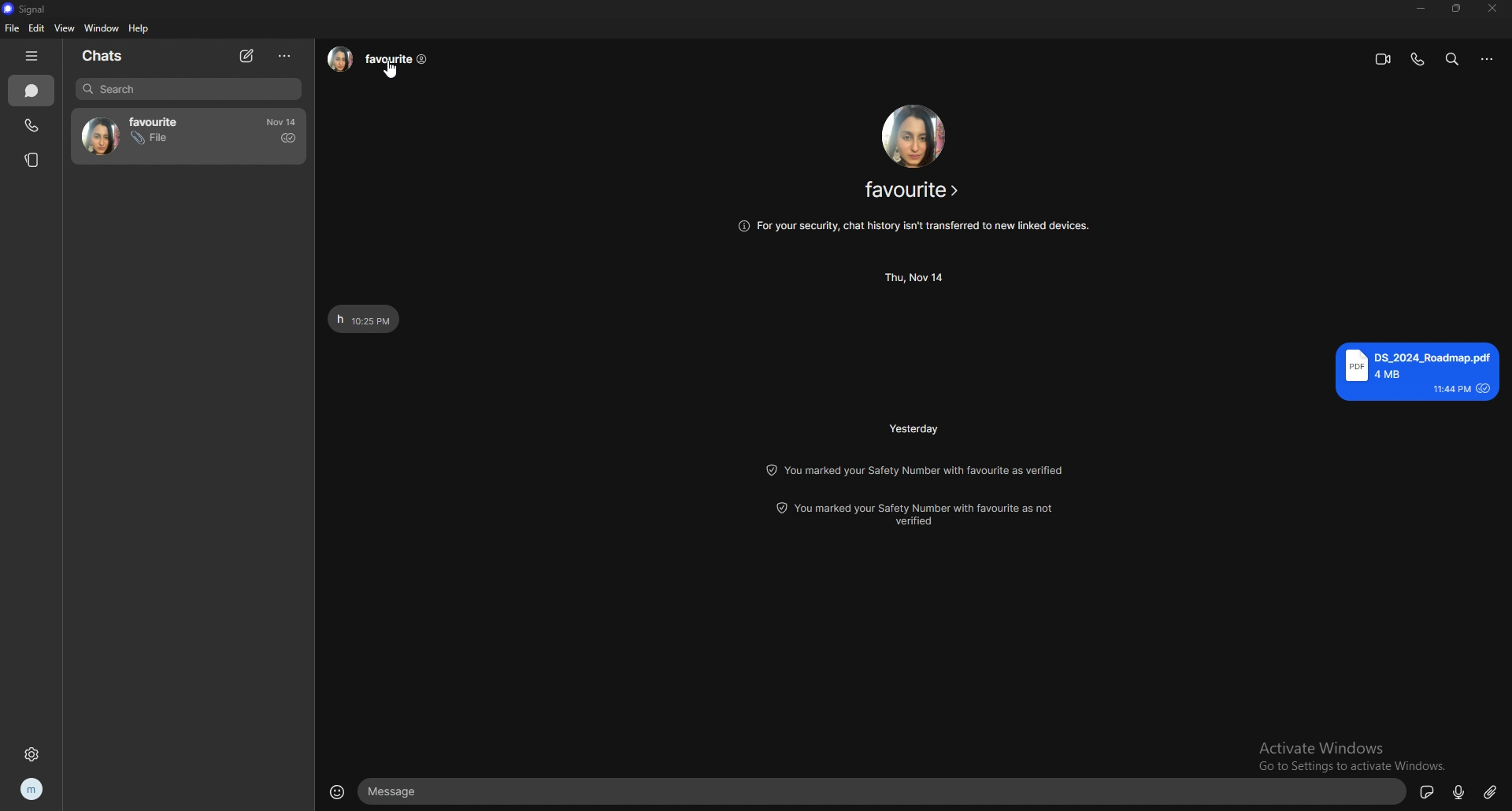 This screenshot has width=1512, height=811. Describe the element at coordinates (1488, 58) in the screenshot. I see `options` at that location.